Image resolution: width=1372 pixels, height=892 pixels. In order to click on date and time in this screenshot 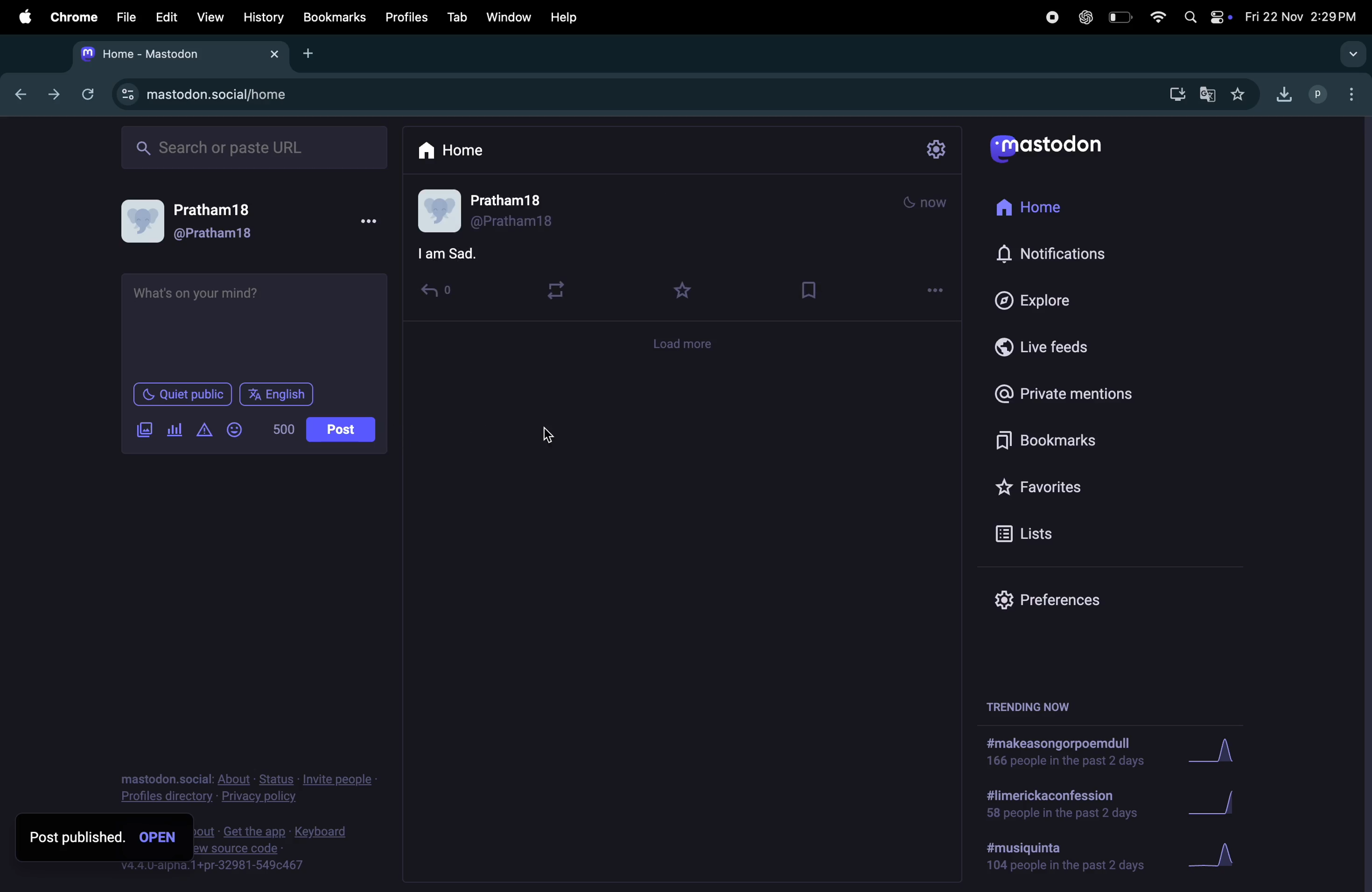, I will do `click(1305, 16)`.